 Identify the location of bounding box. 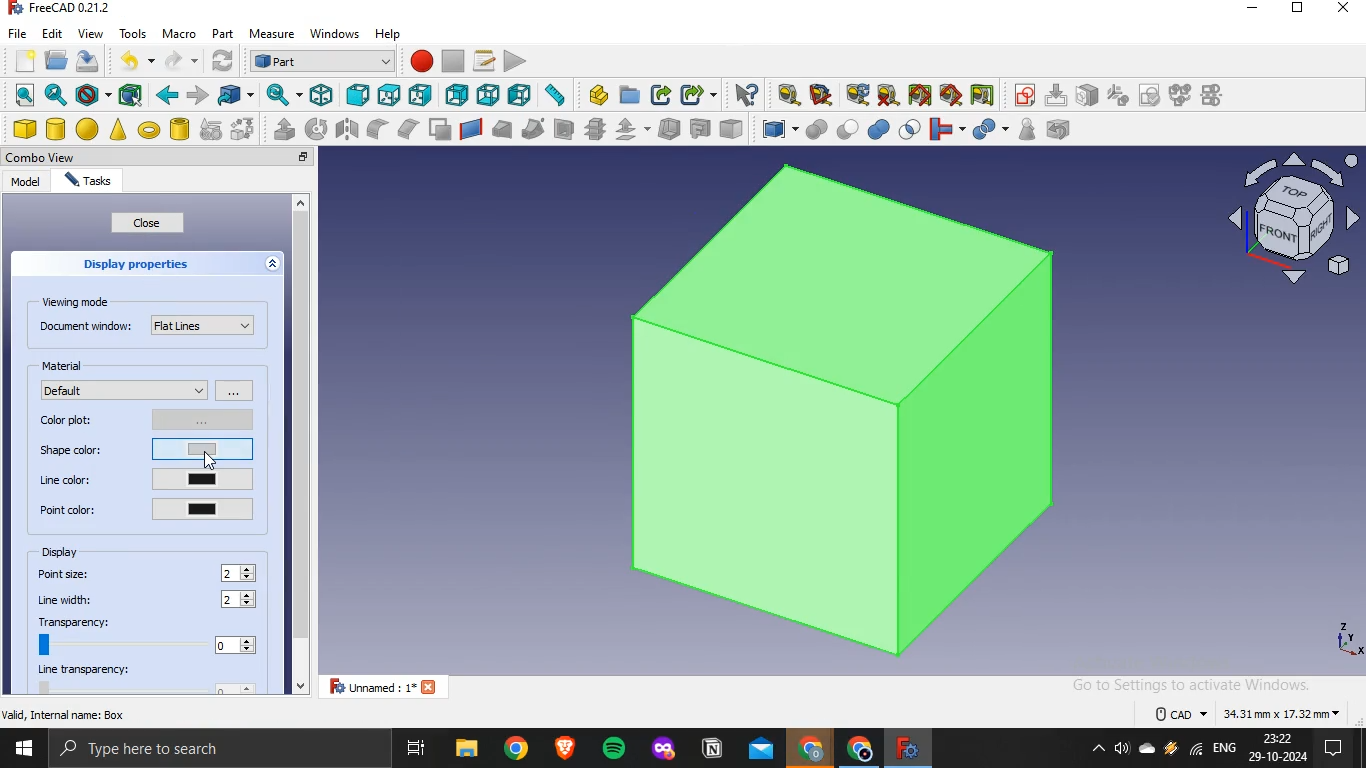
(131, 95).